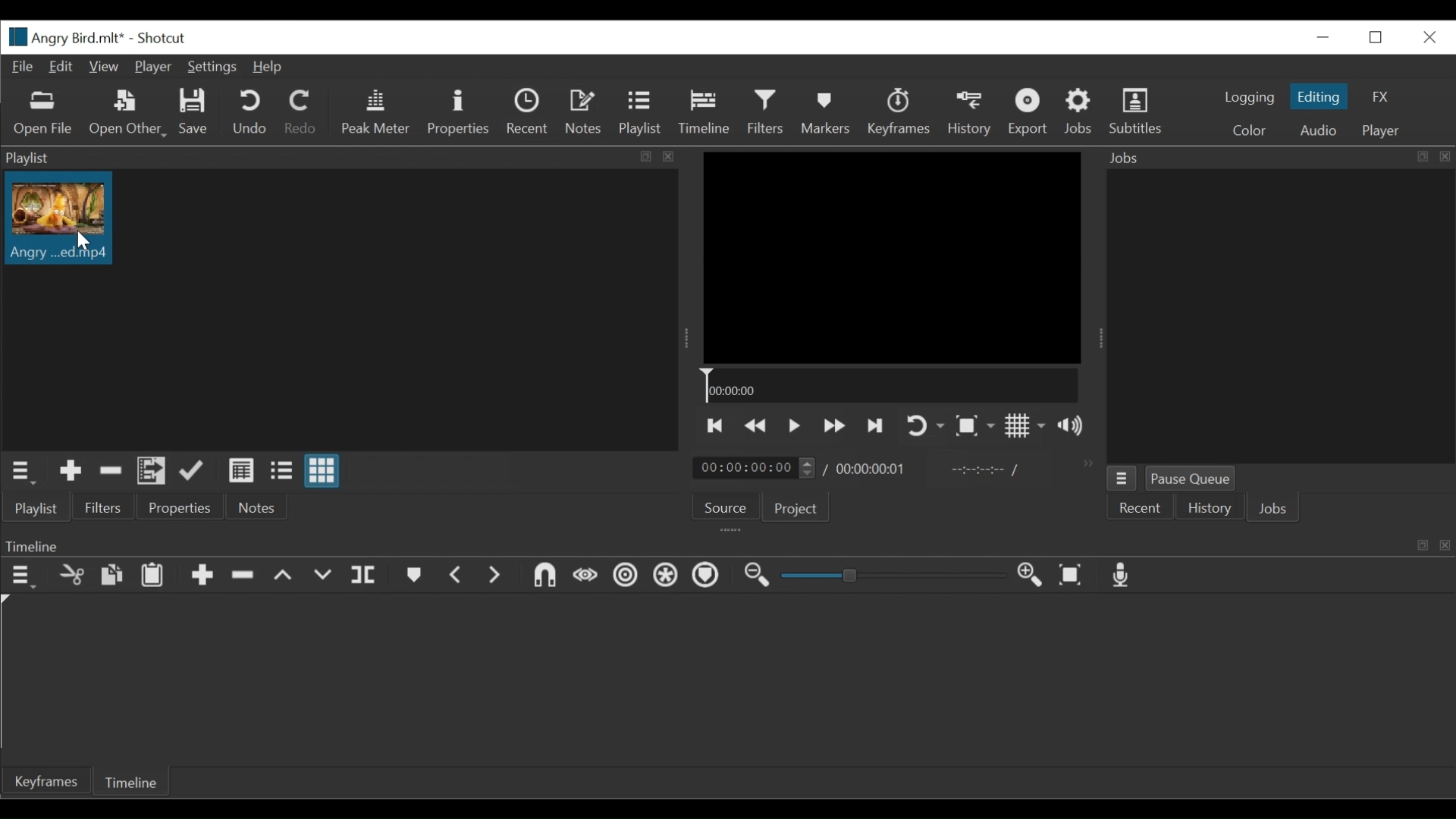 The image size is (1456, 819). Describe the element at coordinates (1078, 110) in the screenshot. I see `Jobs` at that location.